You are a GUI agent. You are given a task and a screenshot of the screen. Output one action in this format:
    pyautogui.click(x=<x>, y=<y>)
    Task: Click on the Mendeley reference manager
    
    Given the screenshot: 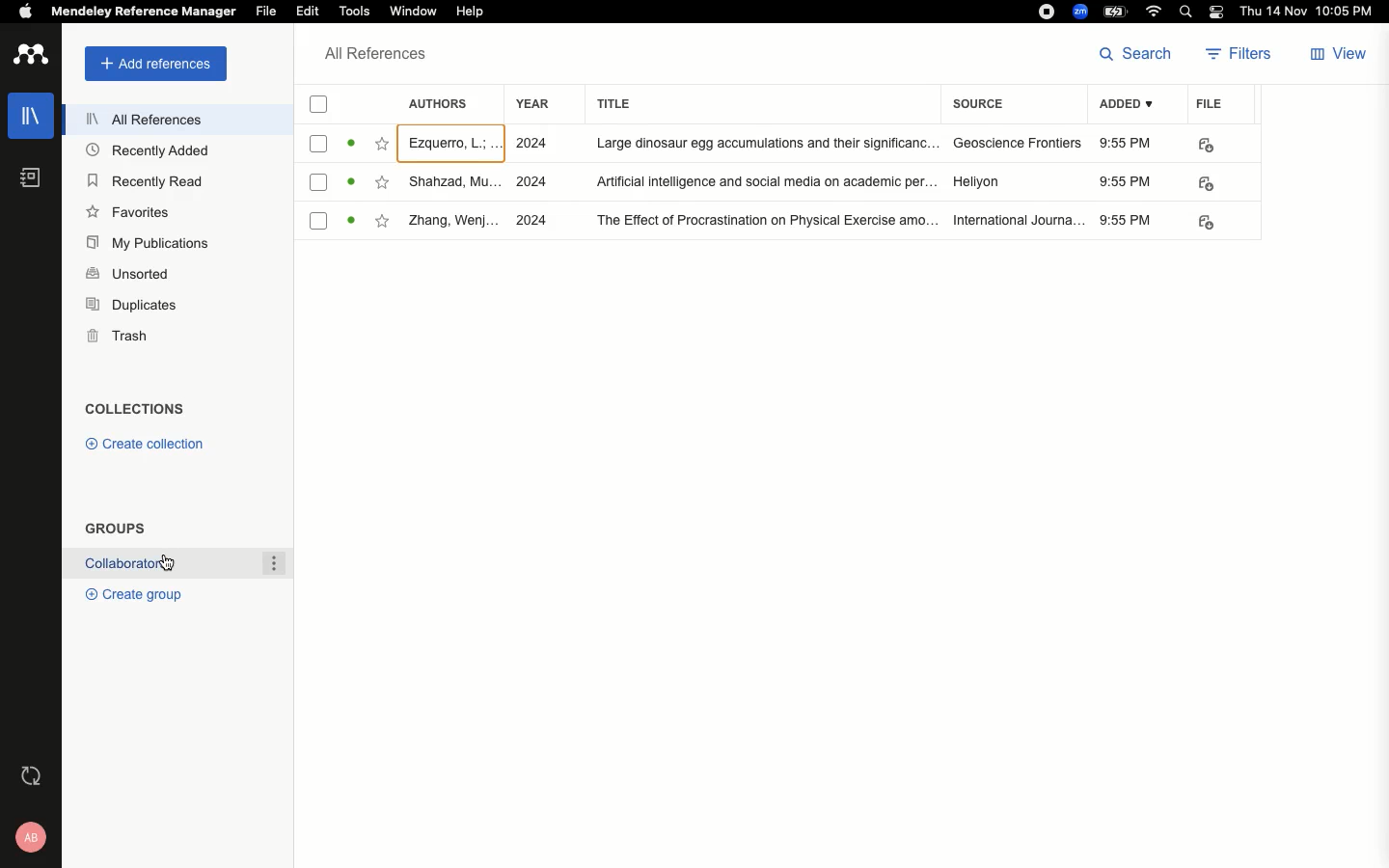 What is the action you would take?
    pyautogui.click(x=145, y=12)
    